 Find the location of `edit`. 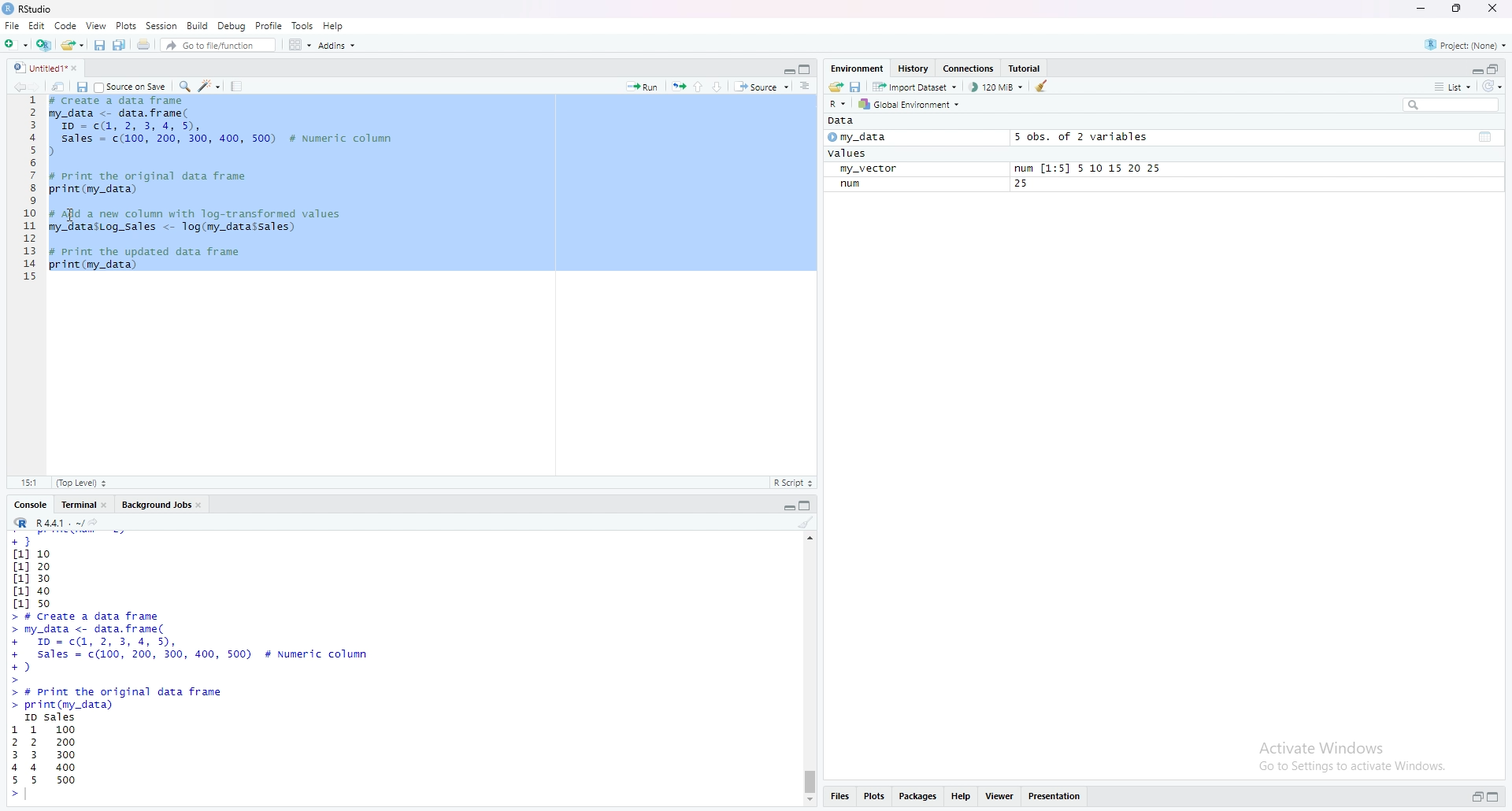

edit is located at coordinates (38, 25).